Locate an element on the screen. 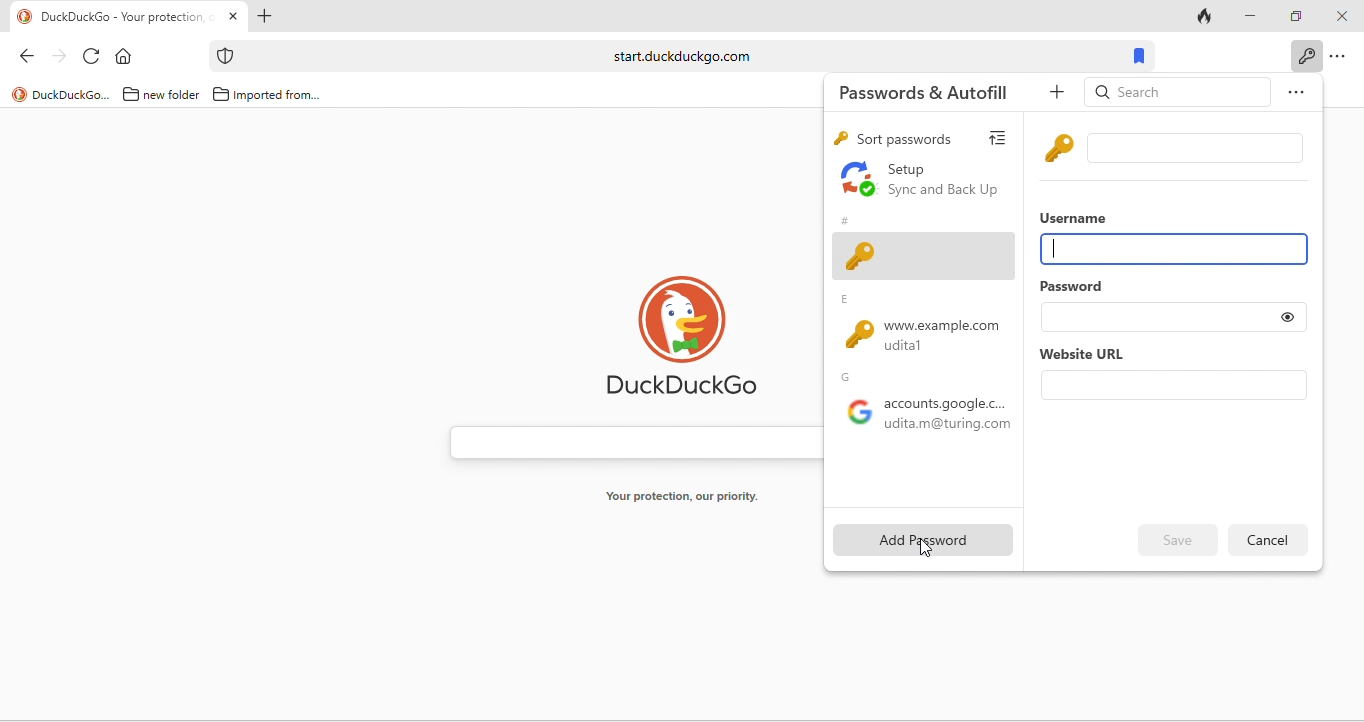 Image resolution: width=1364 pixels, height=722 pixels. add new tab is located at coordinates (267, 16).